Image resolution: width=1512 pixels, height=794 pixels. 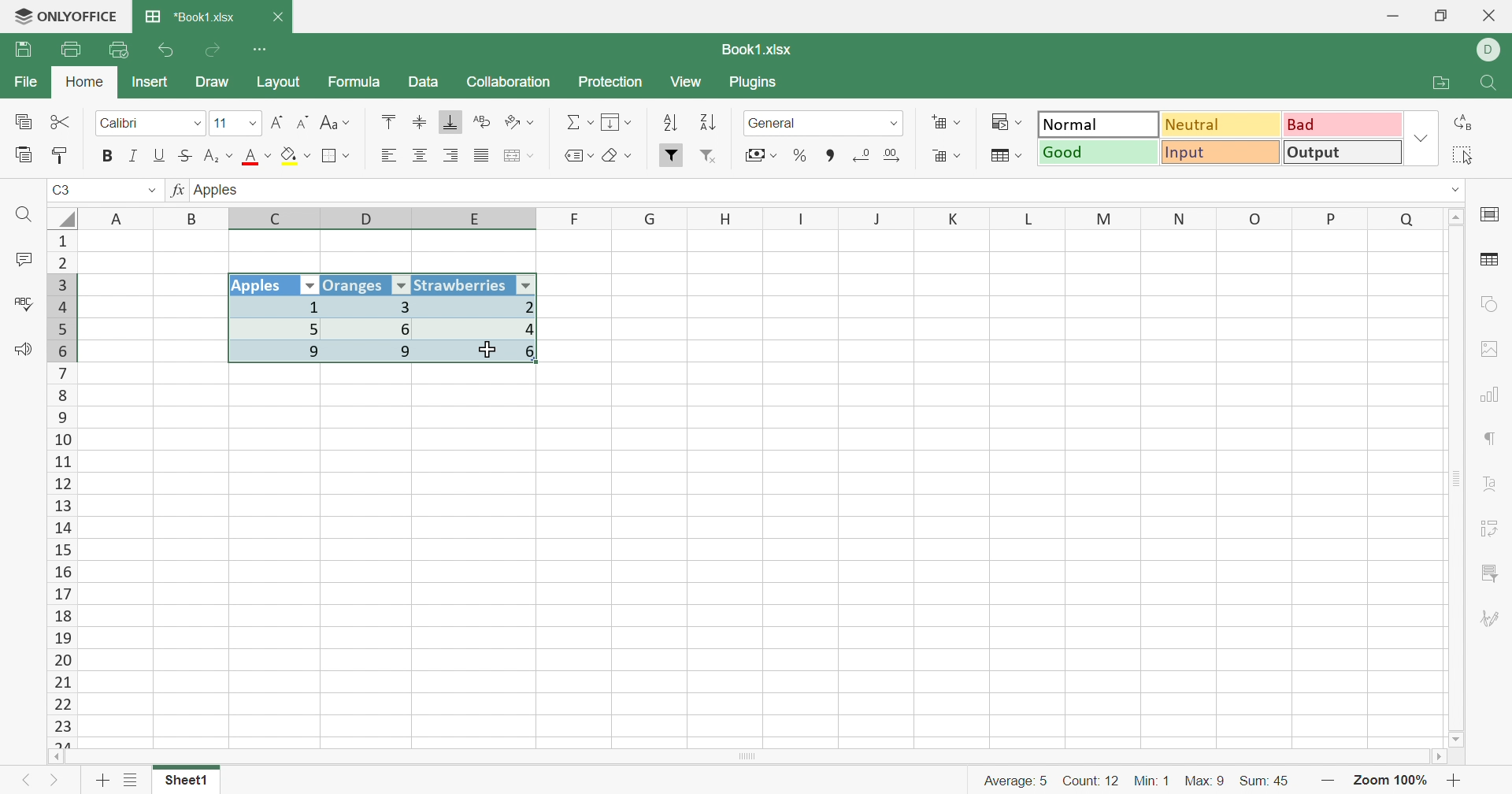 I want to click on Collaboration, so click(x=508, y=80).